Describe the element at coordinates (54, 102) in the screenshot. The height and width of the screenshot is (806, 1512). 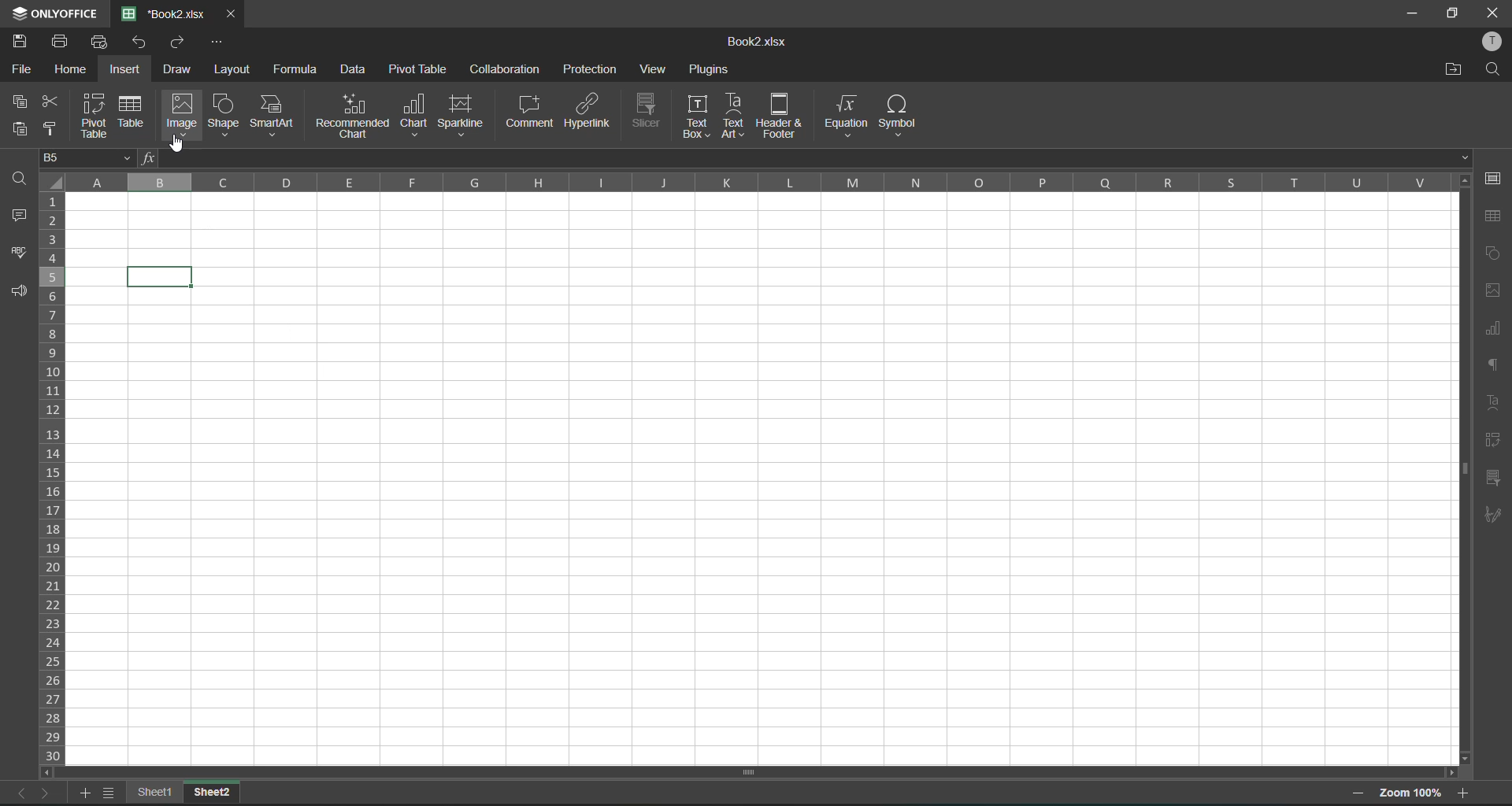
I see `cut` at that location.